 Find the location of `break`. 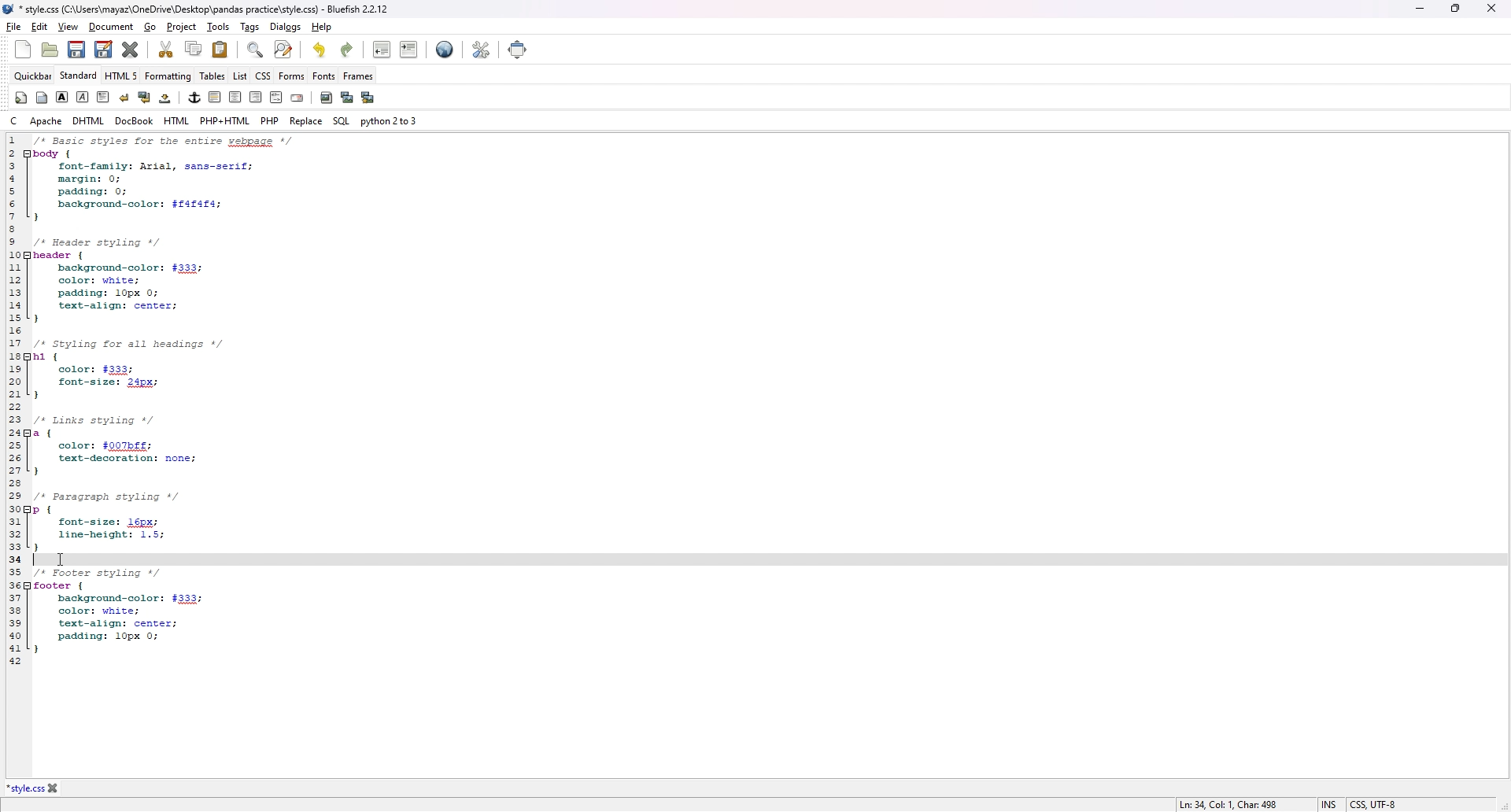

break is located at coordinates (124, 98).